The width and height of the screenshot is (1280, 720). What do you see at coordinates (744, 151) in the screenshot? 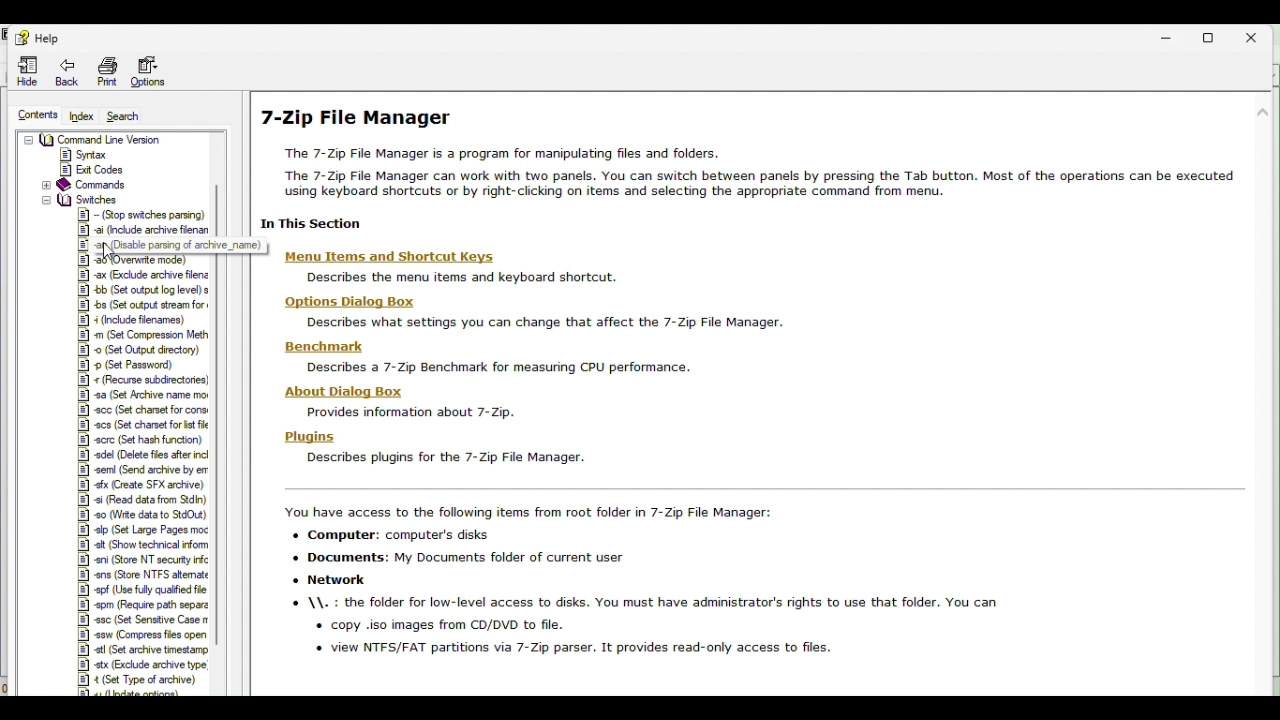
I see `7-Zip File Manager
The 7-Zip File Manager is a program for manipulating files and folders.
“The 7-Zip File Manager can work with two panels. You can switch between panels by pressing the Tab button. Most of the operations can be executed
using keyboard shortcuts or by night-chcking on items and selecting the appropriate command from menu.` at bounding box center [744, 151].